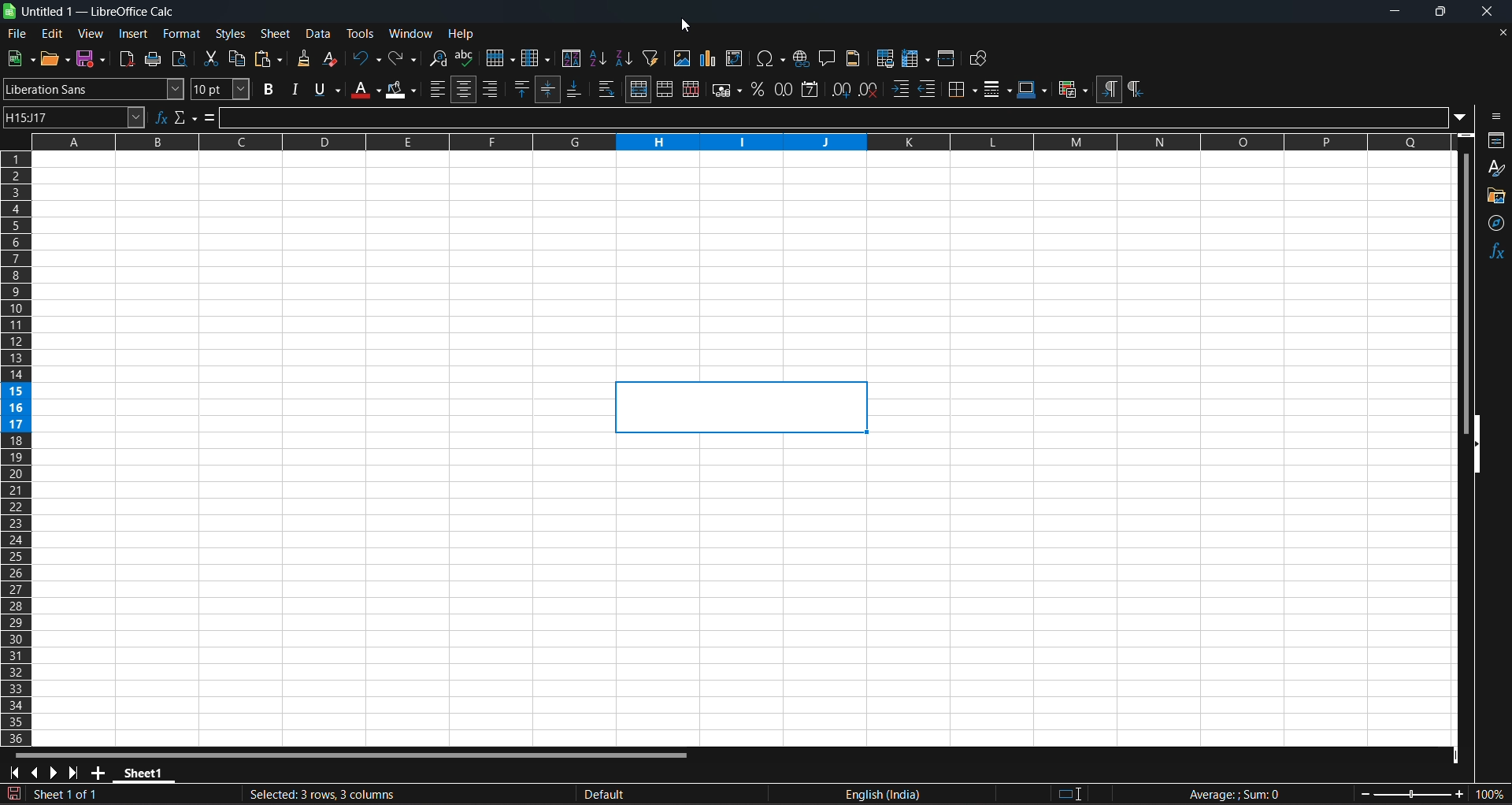  What do you see at coordinates (212, 59) in the screenshot?
I see `cut` at bounding box center [212, 59].